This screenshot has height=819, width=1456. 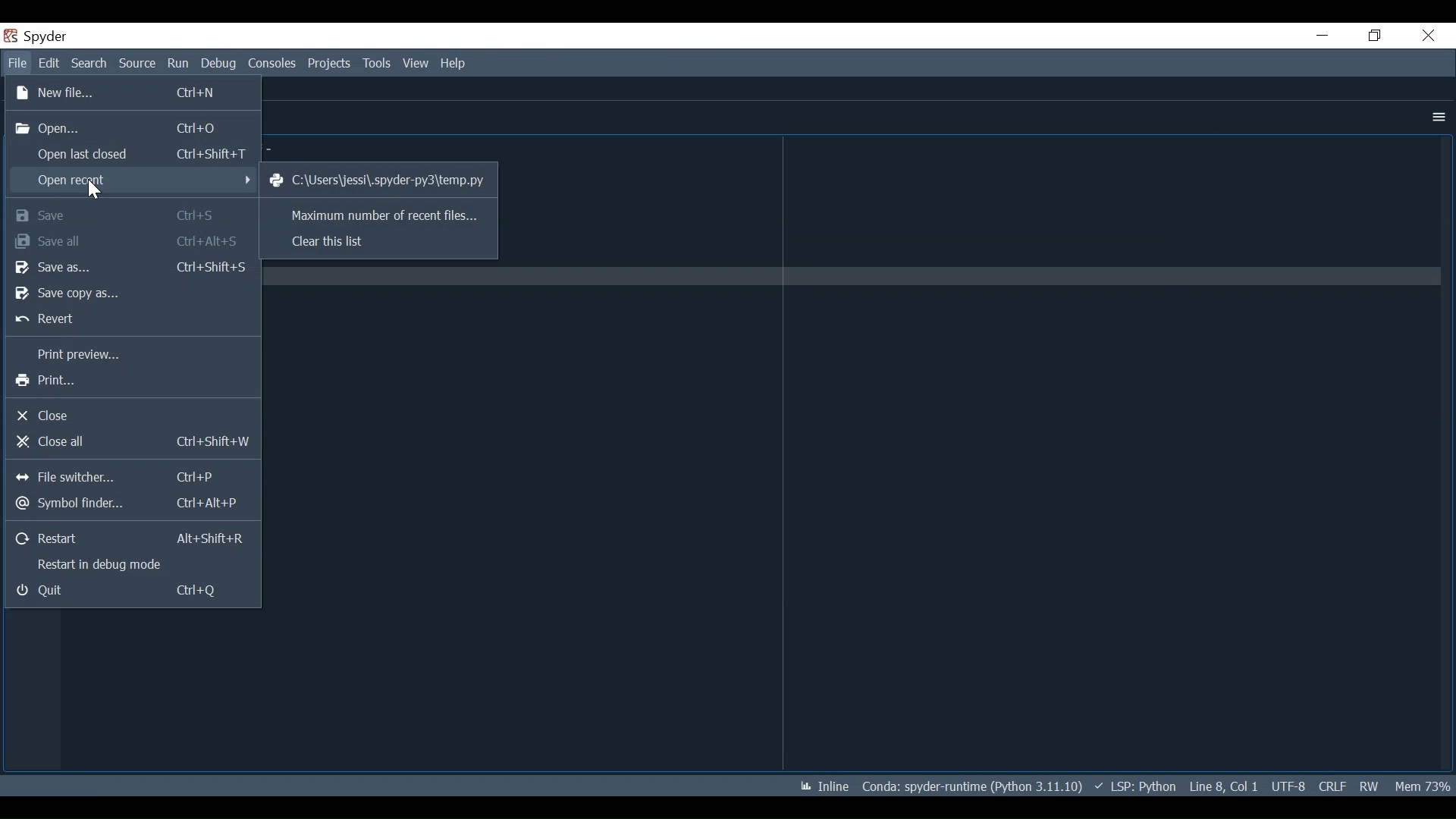 I want to click on File switcher, so click(x=133, y=479).